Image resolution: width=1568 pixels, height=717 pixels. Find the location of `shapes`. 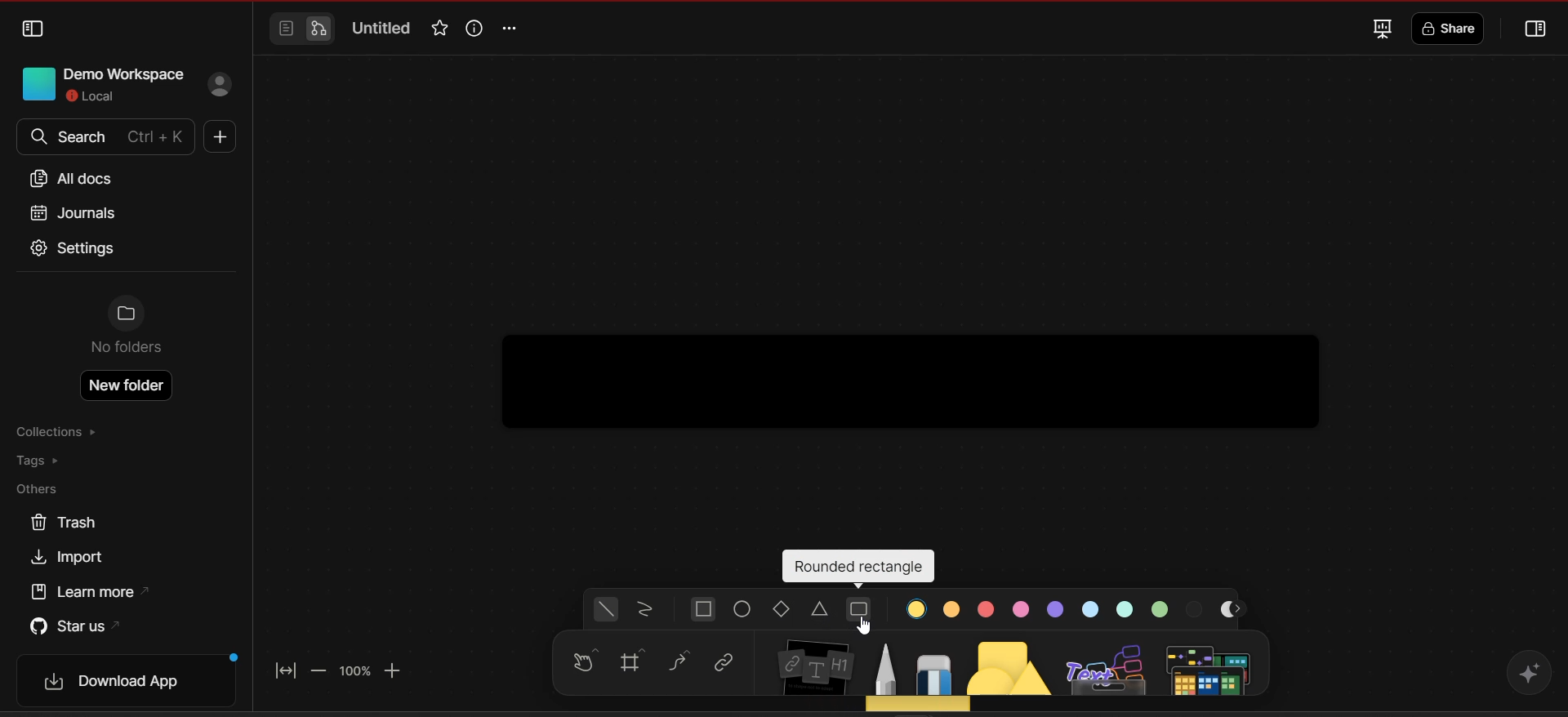

shapes is located at coordinates (1011, 664).